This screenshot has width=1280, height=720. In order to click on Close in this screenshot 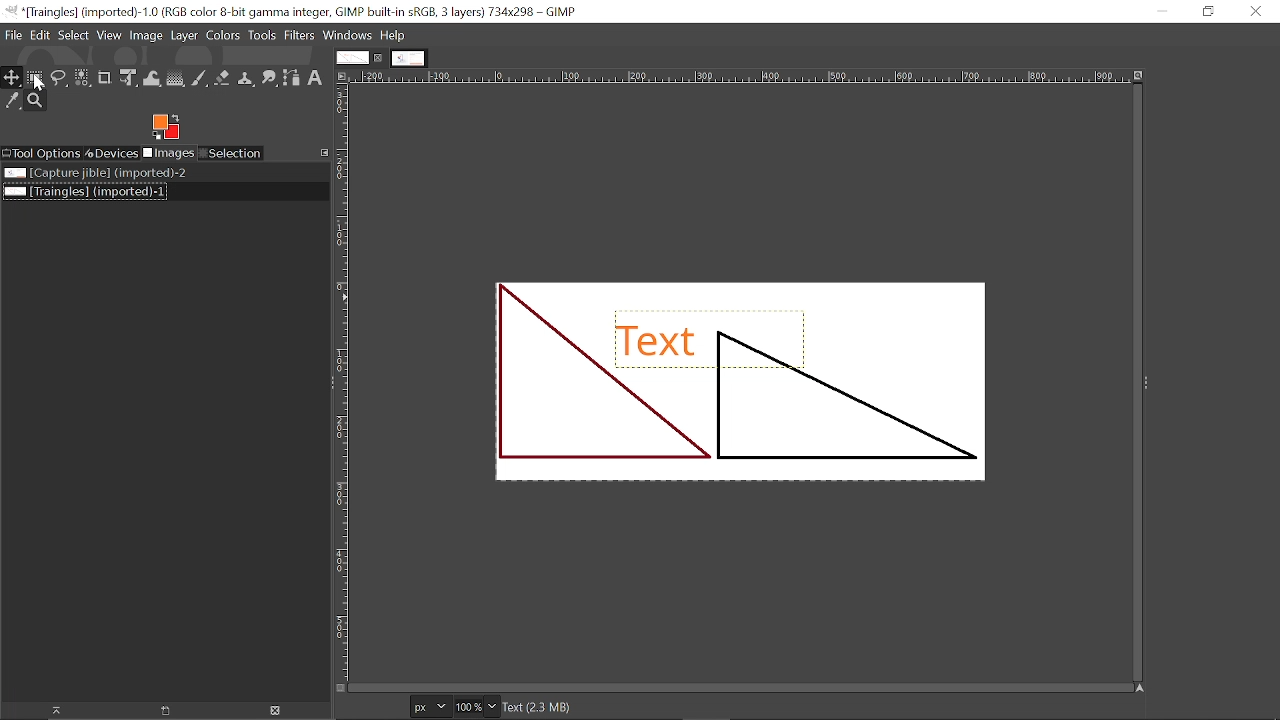, I will do `click(1254, 14)`.